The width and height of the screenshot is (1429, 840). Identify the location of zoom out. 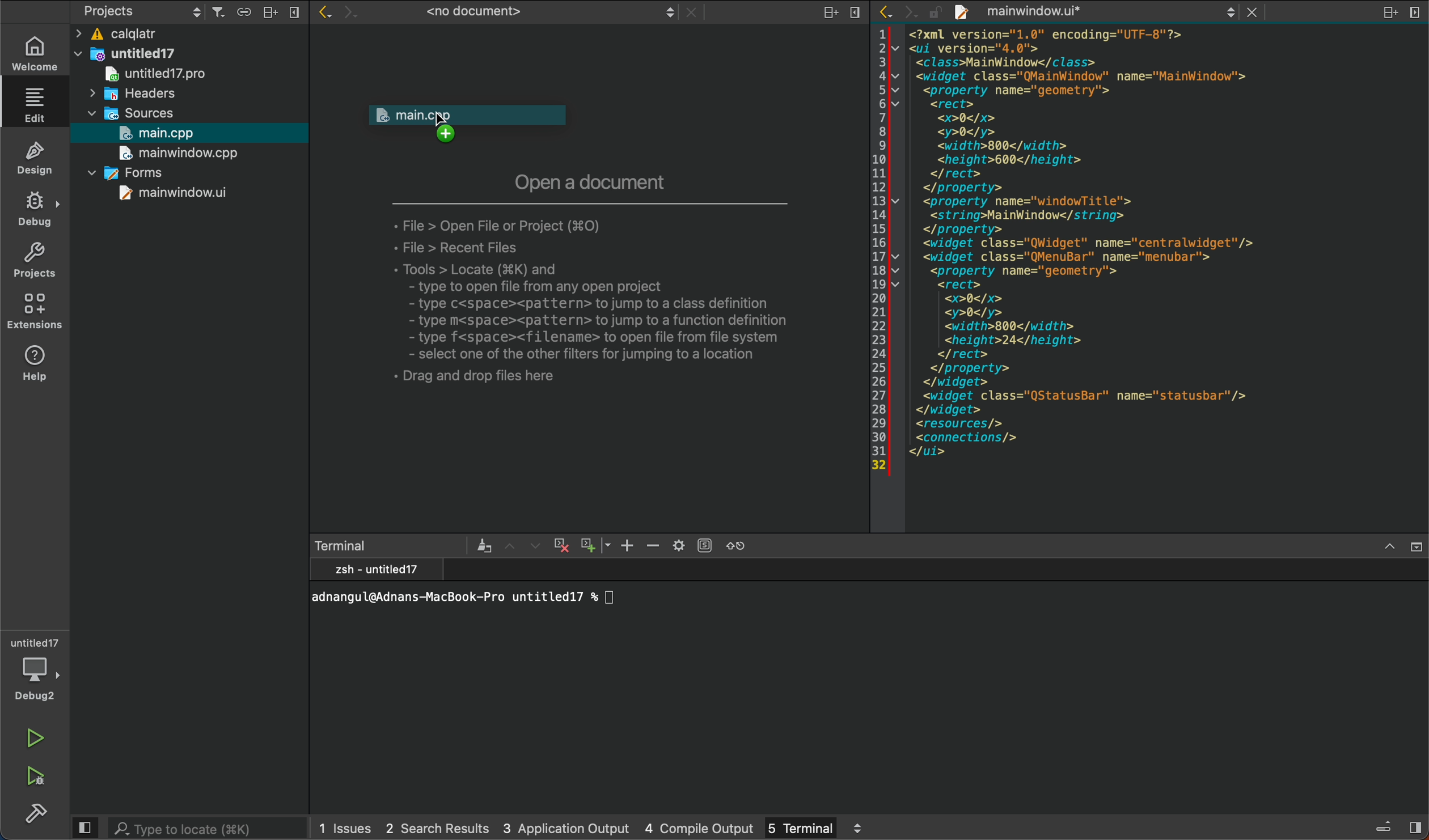
(594, 544).